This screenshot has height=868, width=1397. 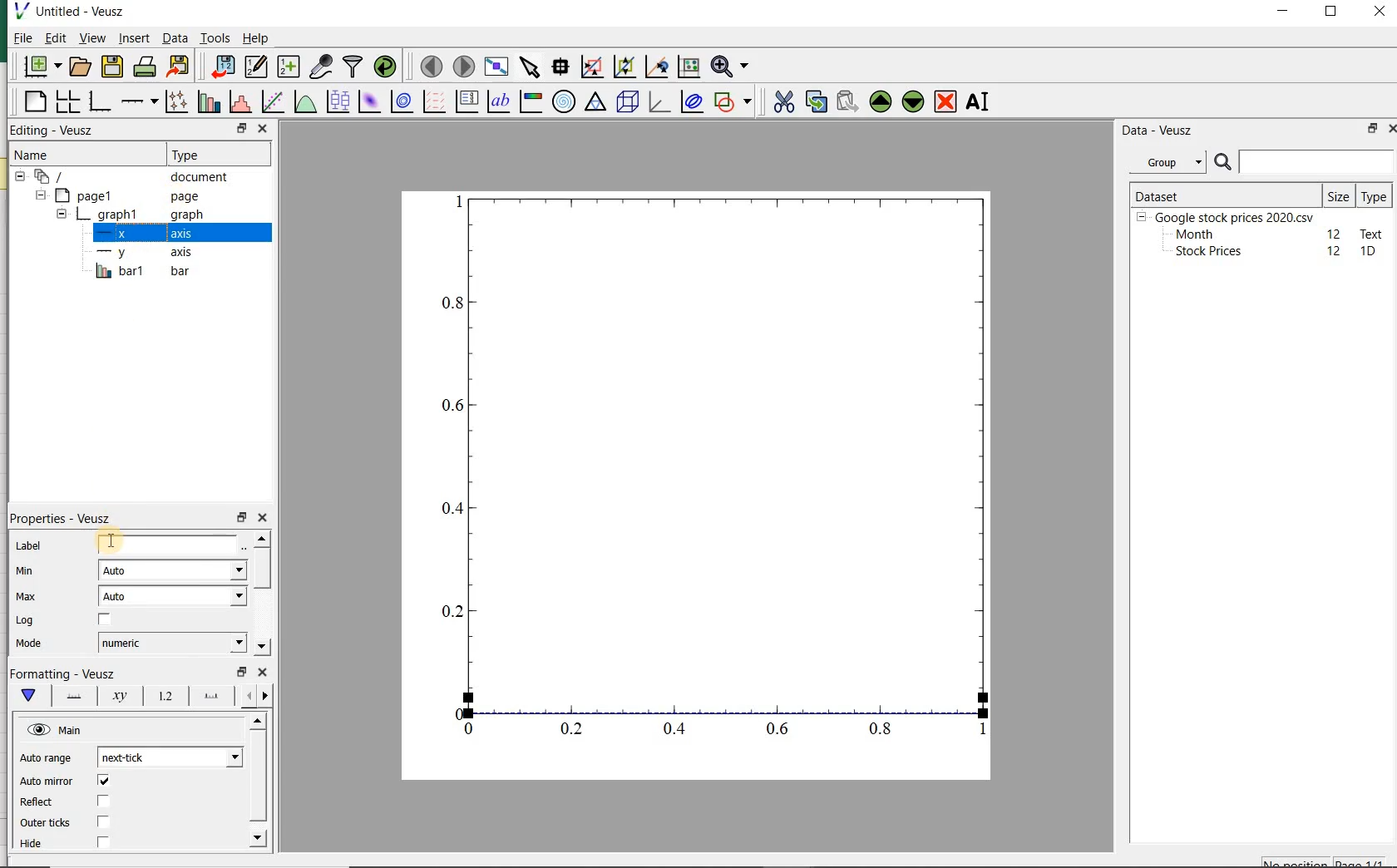 I want to click on close, so click(x=1380, y=12).